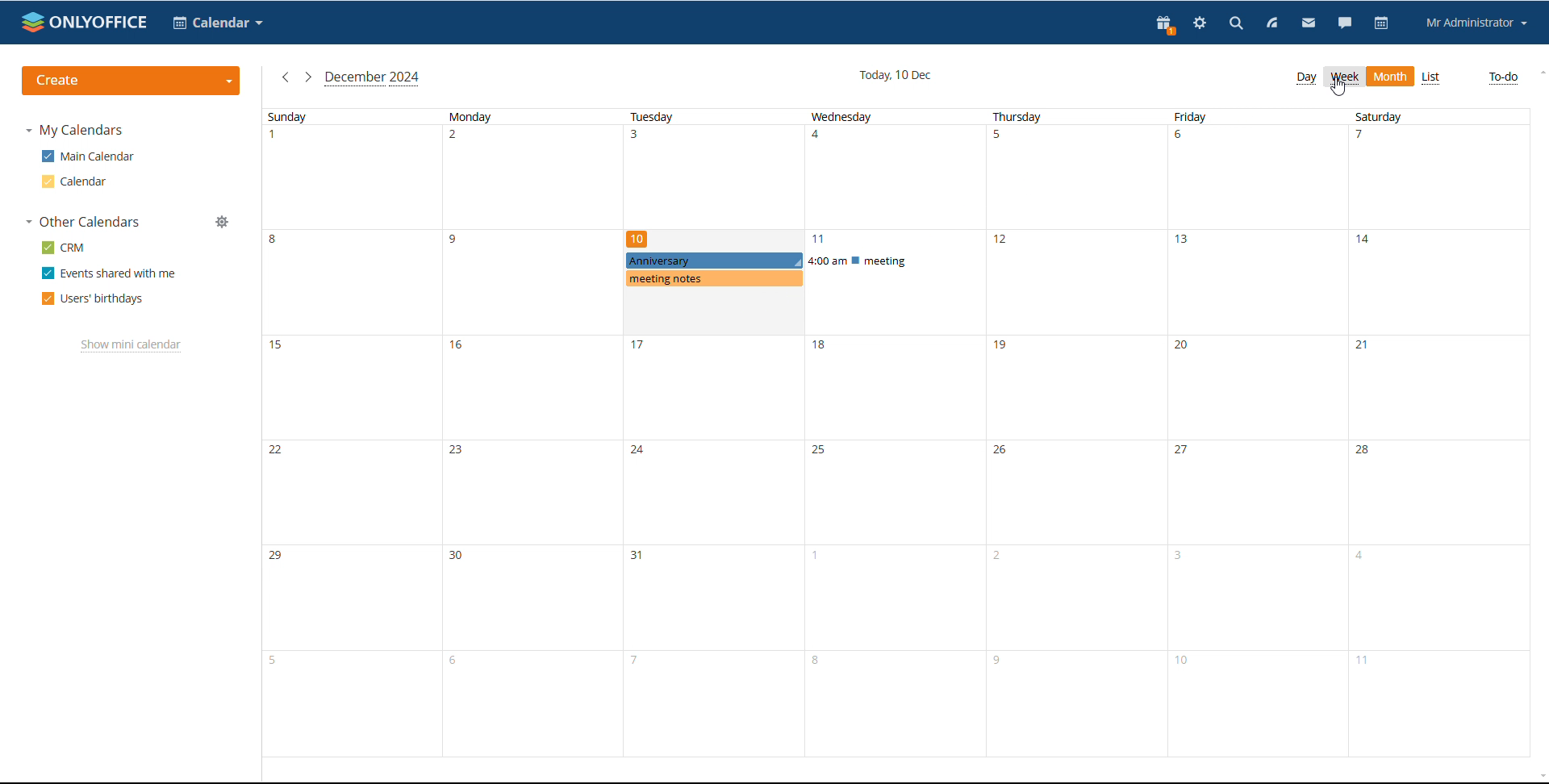 This screenshot has width=1549, height=784. I want to click on profile, so click(1477, 23).